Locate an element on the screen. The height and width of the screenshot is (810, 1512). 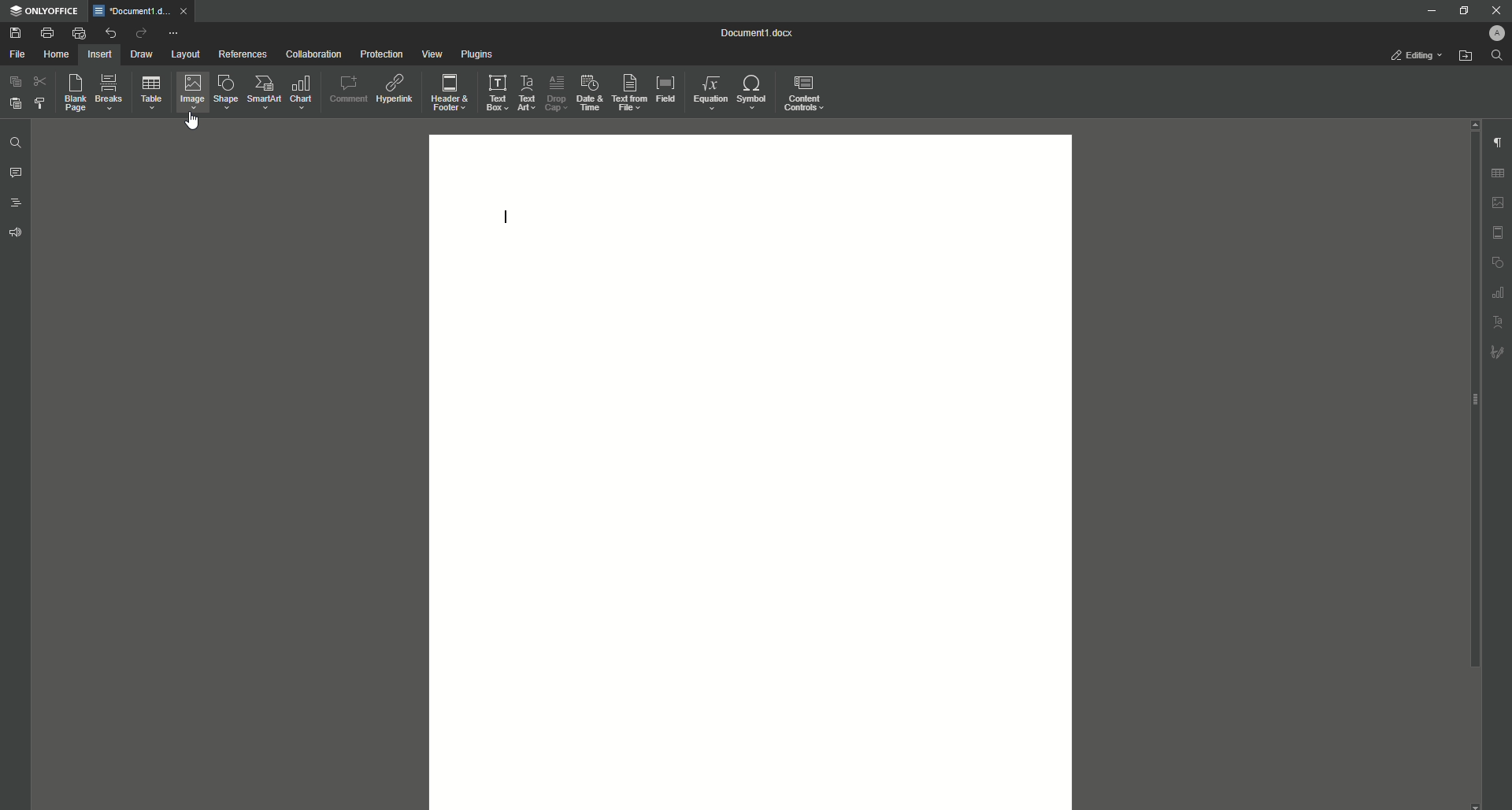
Table Settings is located at coordinates (1498, 173).